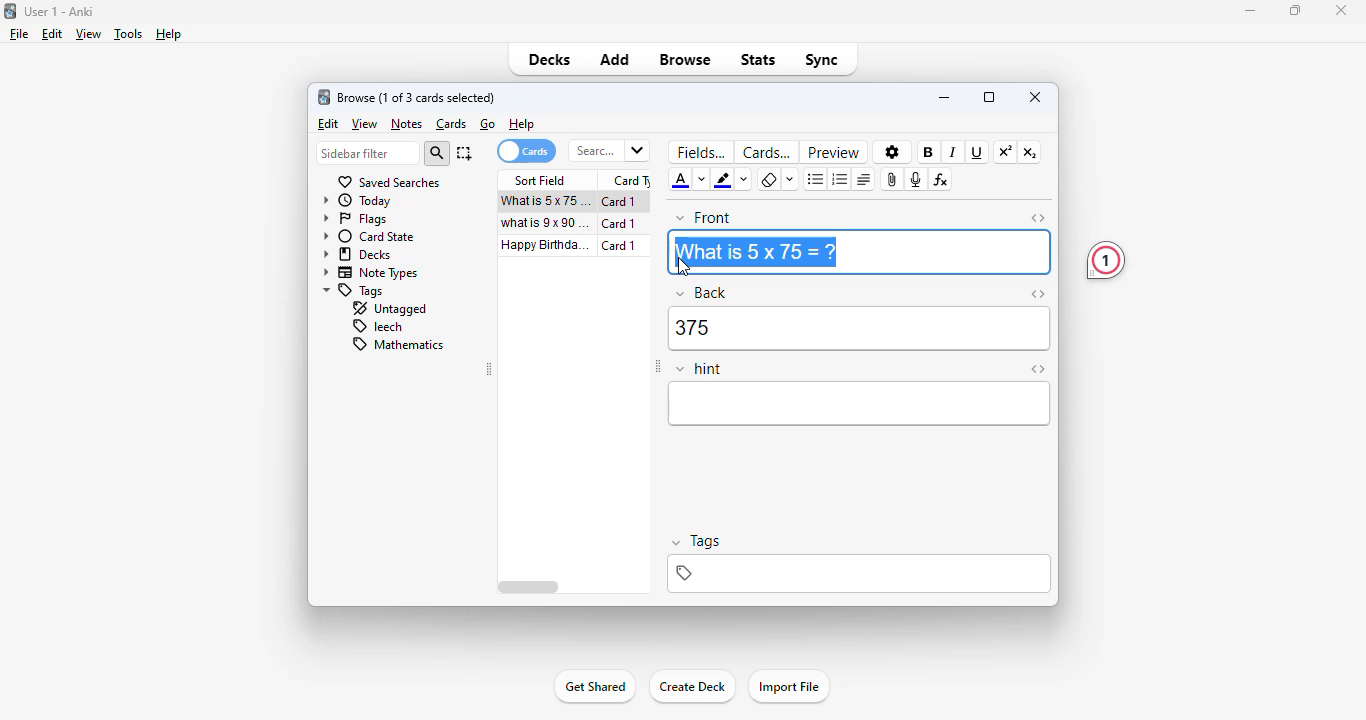  Describe the element at coordinates (390, 182) in the screenshot. I see `saved searches` at that location.